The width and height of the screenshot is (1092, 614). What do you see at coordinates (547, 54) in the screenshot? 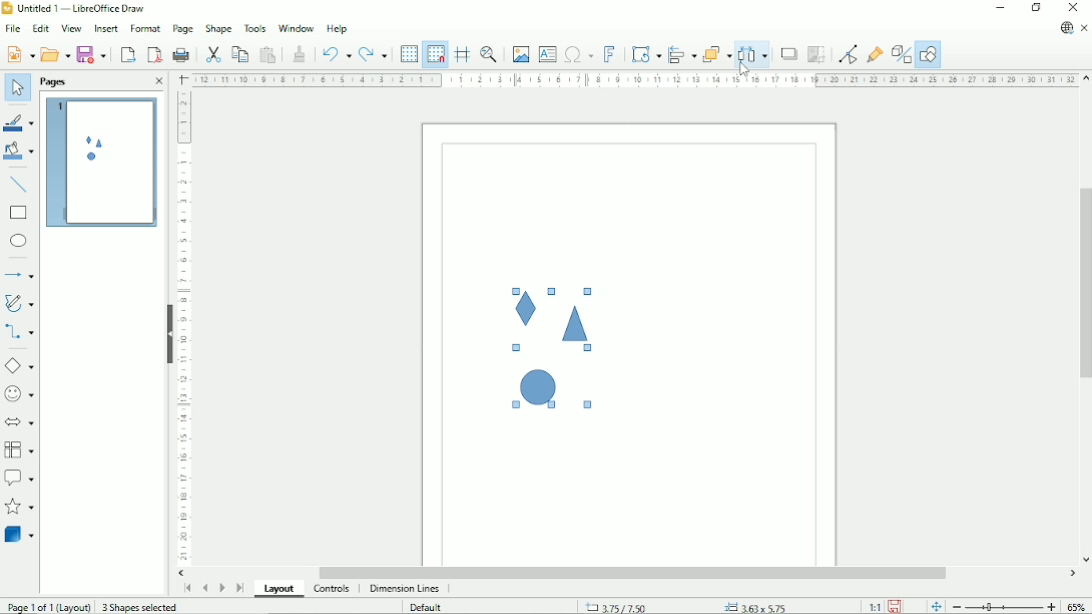
I see `Insert text box` at bounding box center [547, 54].